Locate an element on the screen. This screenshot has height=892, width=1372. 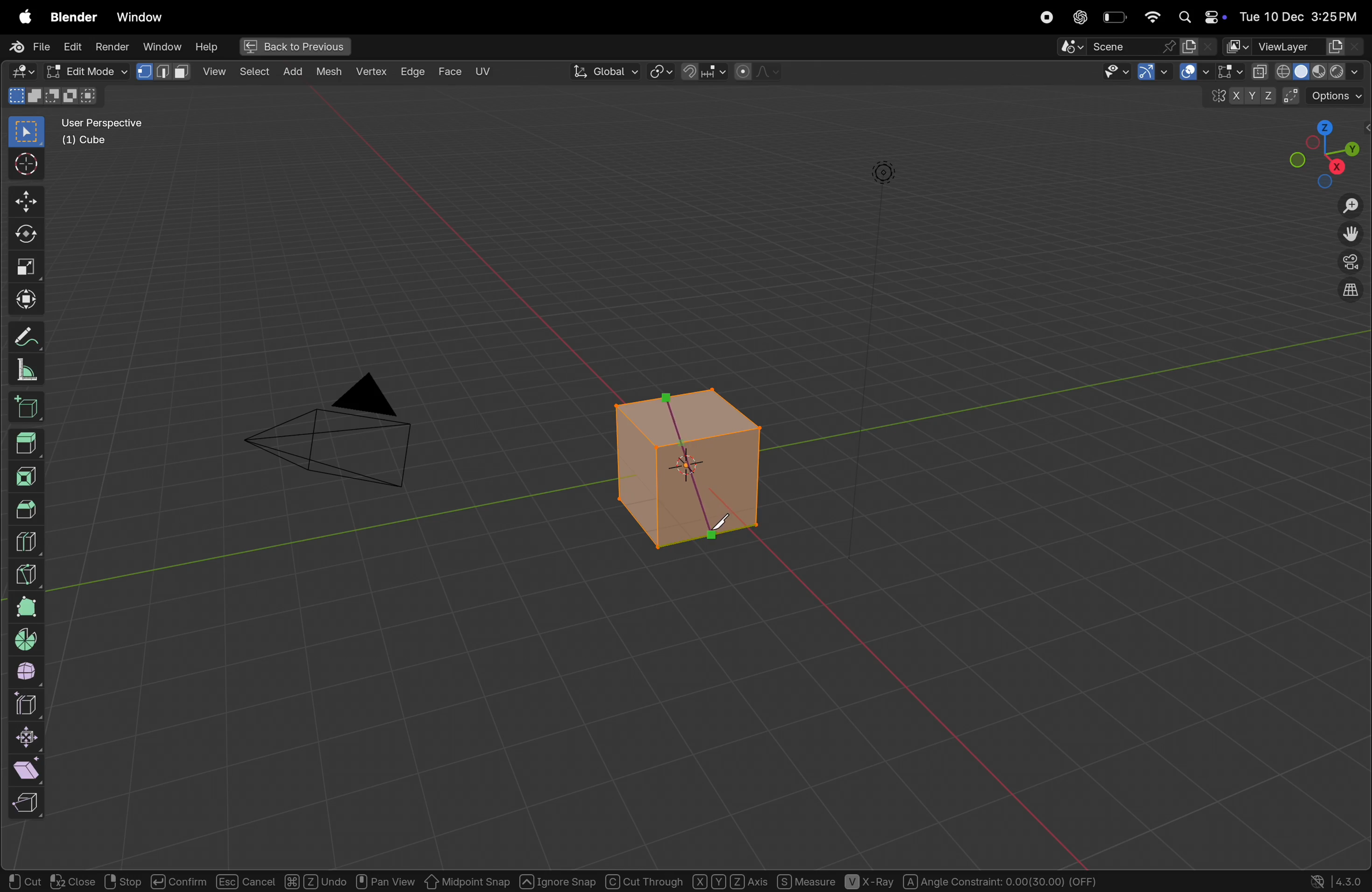
select is located at coordinates (22, 133).